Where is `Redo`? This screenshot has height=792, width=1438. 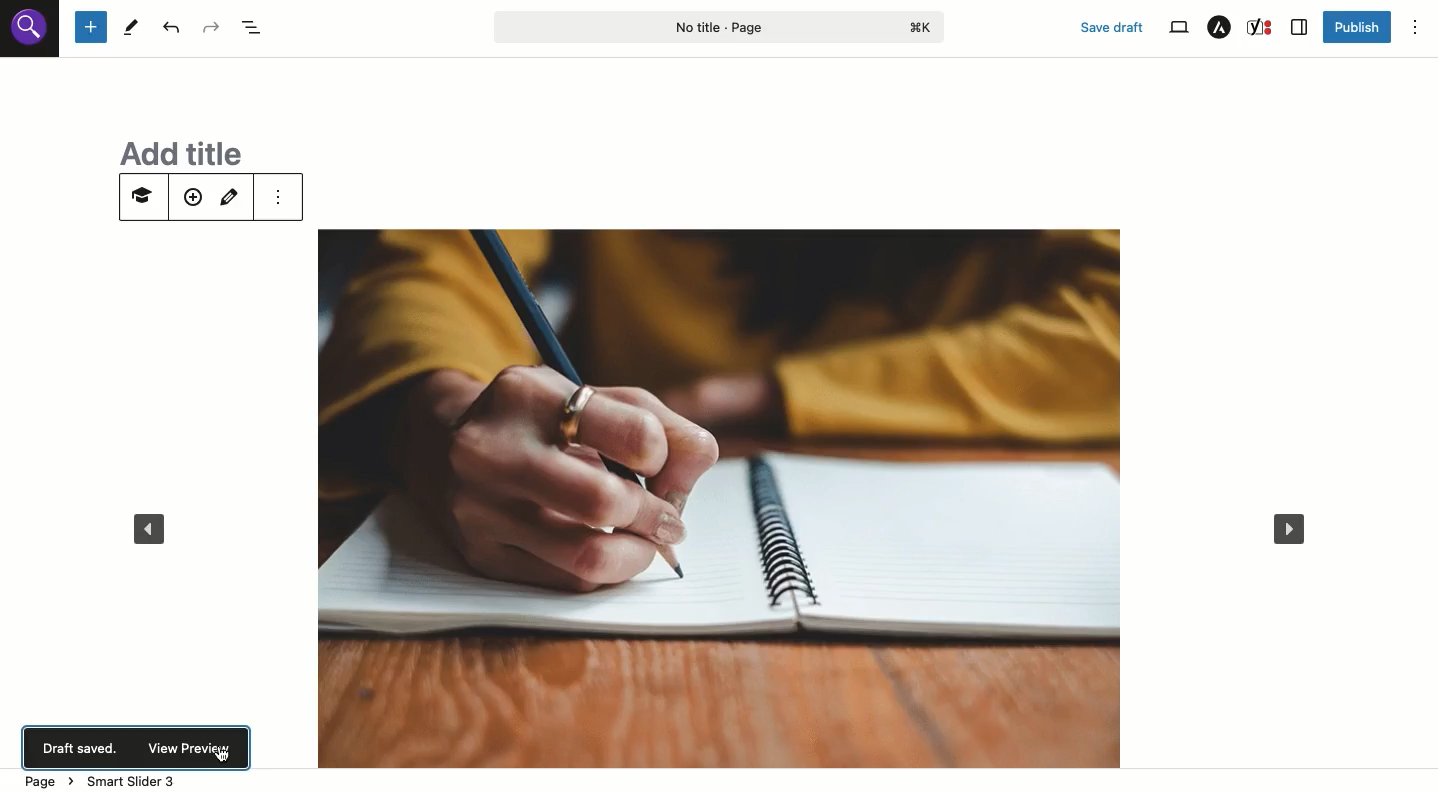 Redo is located at coordinates (210, 28).